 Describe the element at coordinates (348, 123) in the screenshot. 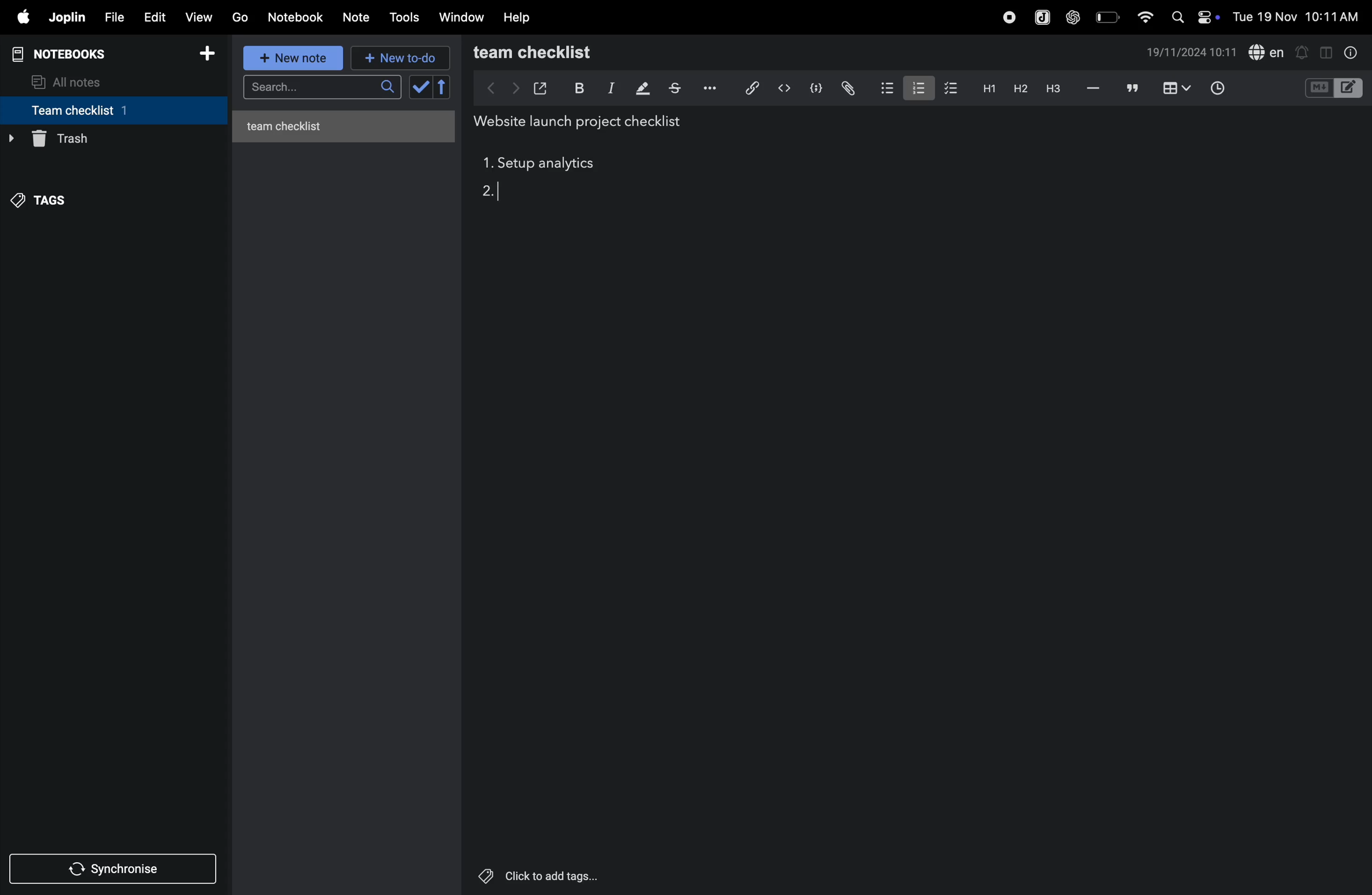

I see `untitled` at that location.